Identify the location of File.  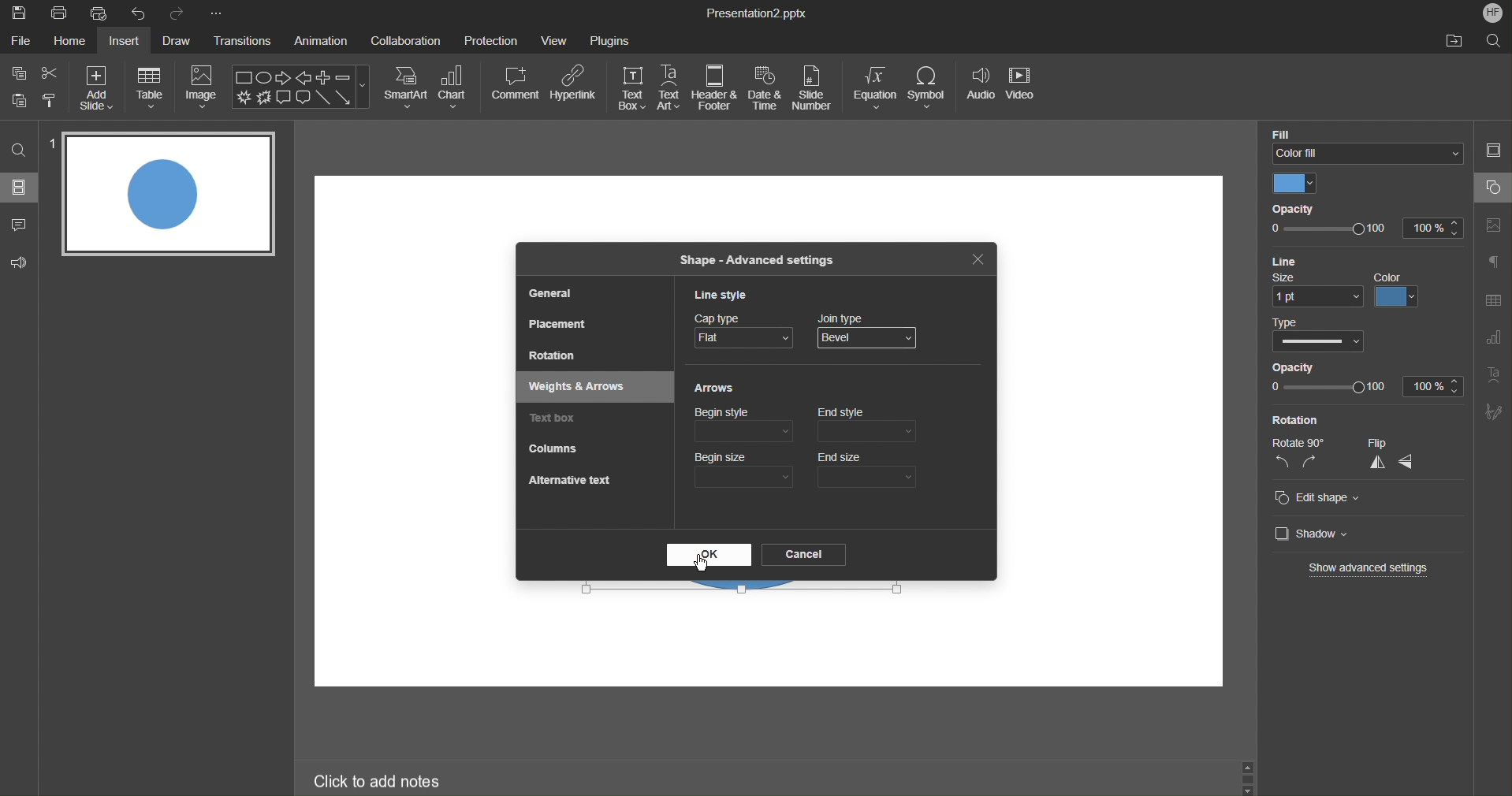
(20, 42).